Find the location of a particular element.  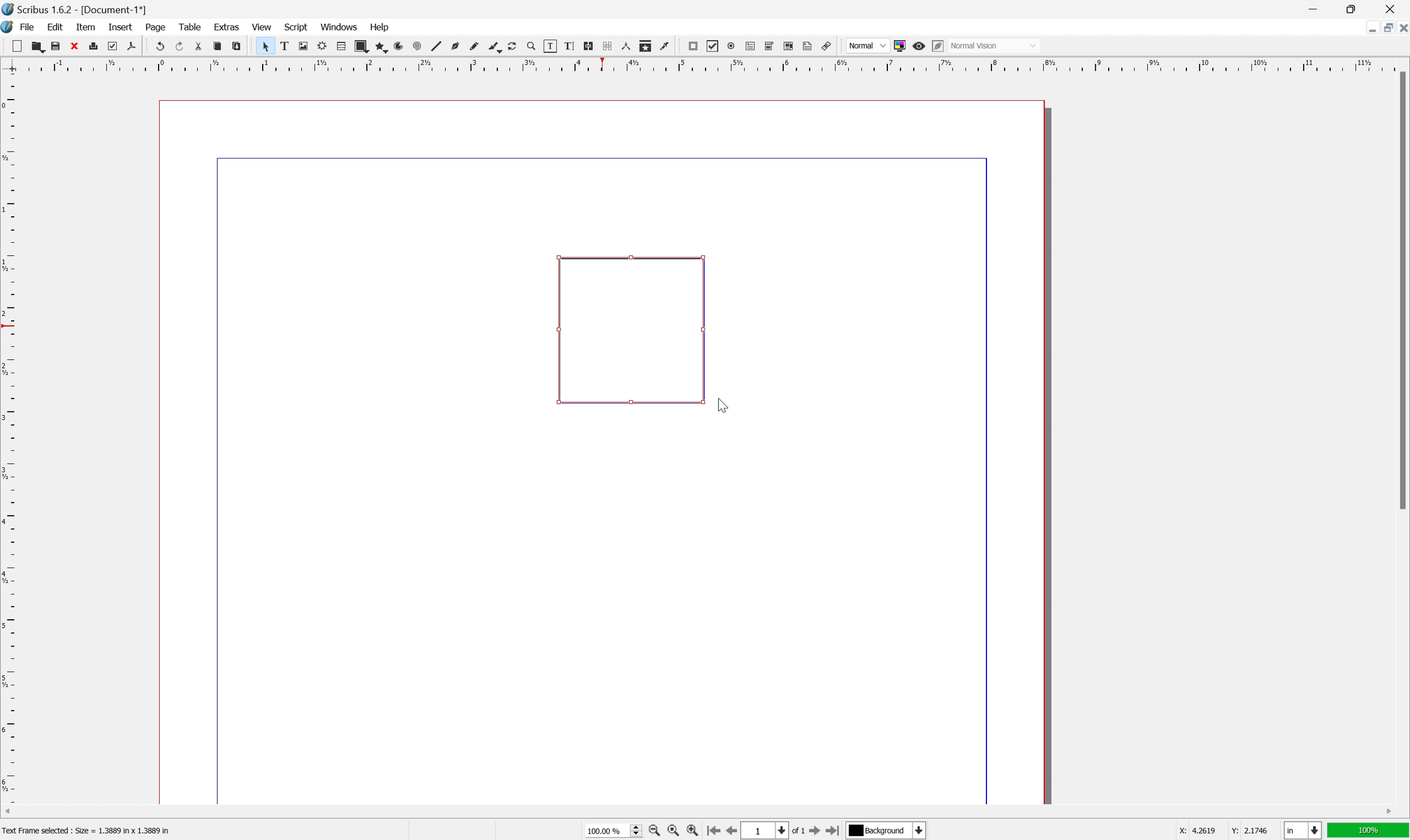

bezier curve is located at coordinates (455, 46).